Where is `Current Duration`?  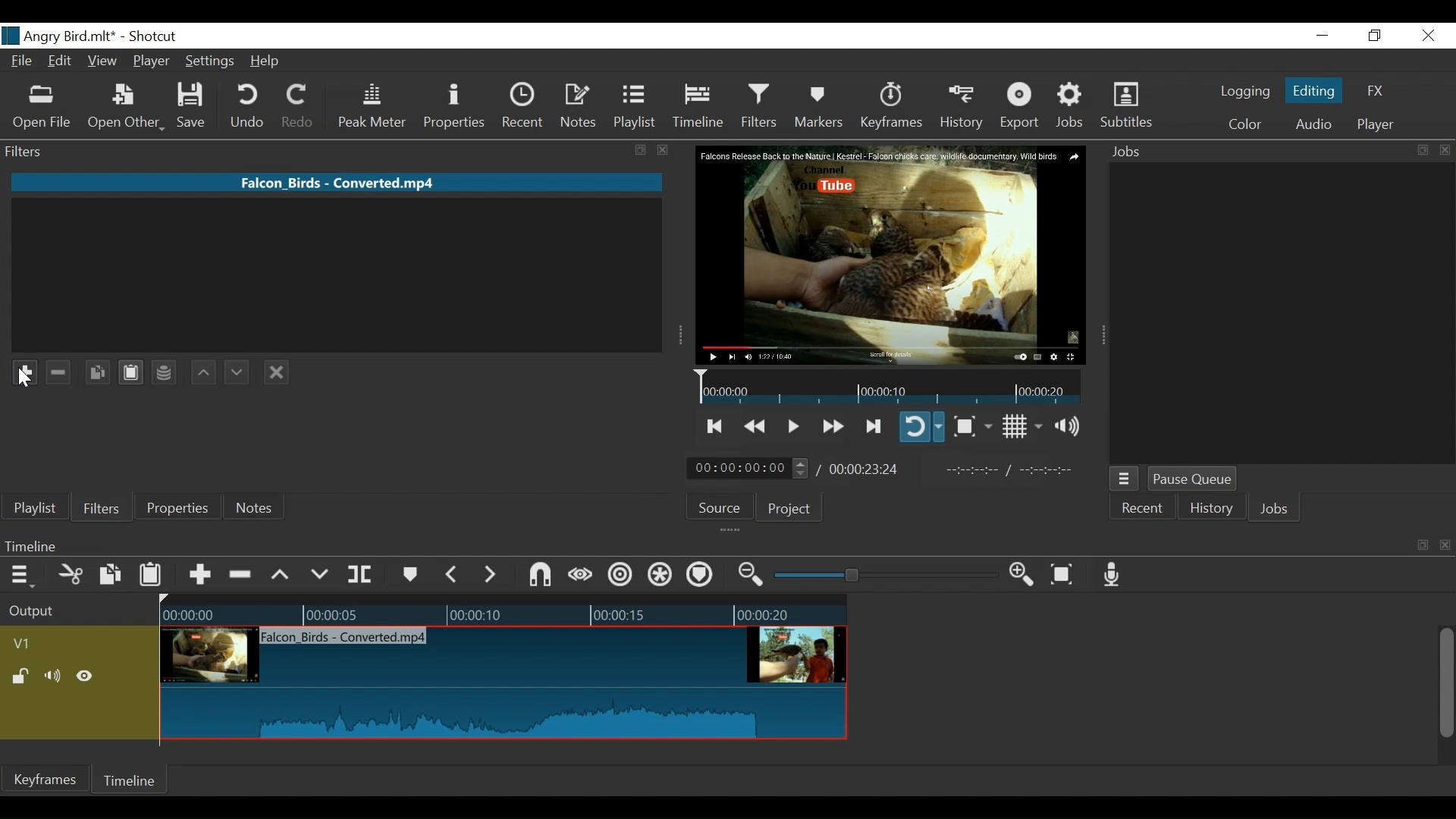 Current Duration is located at coordinates (748, 467).